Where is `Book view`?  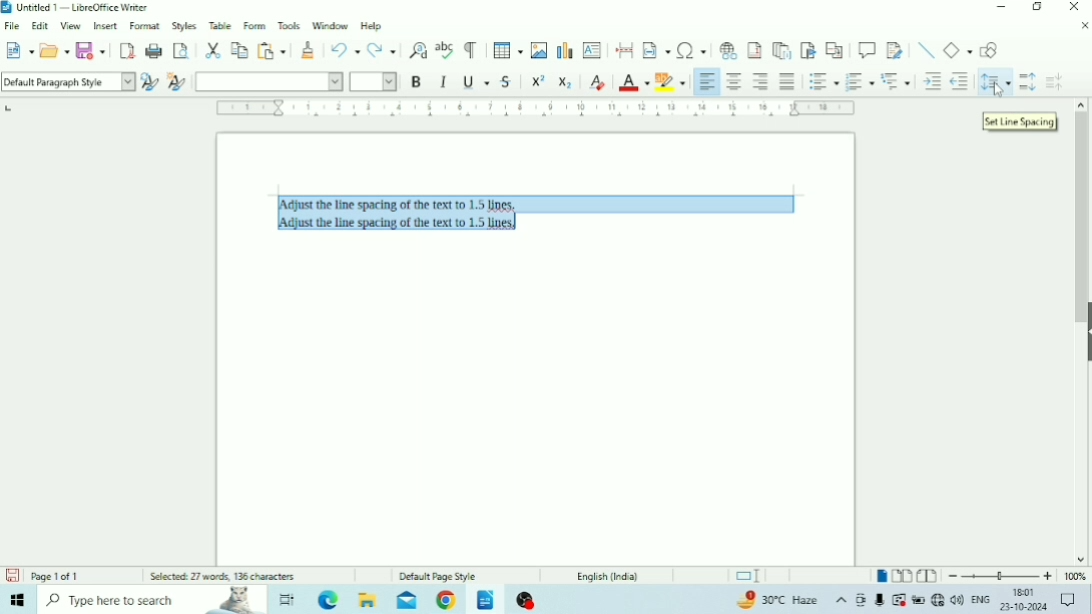
Book view is located at coordinates (926, 575).